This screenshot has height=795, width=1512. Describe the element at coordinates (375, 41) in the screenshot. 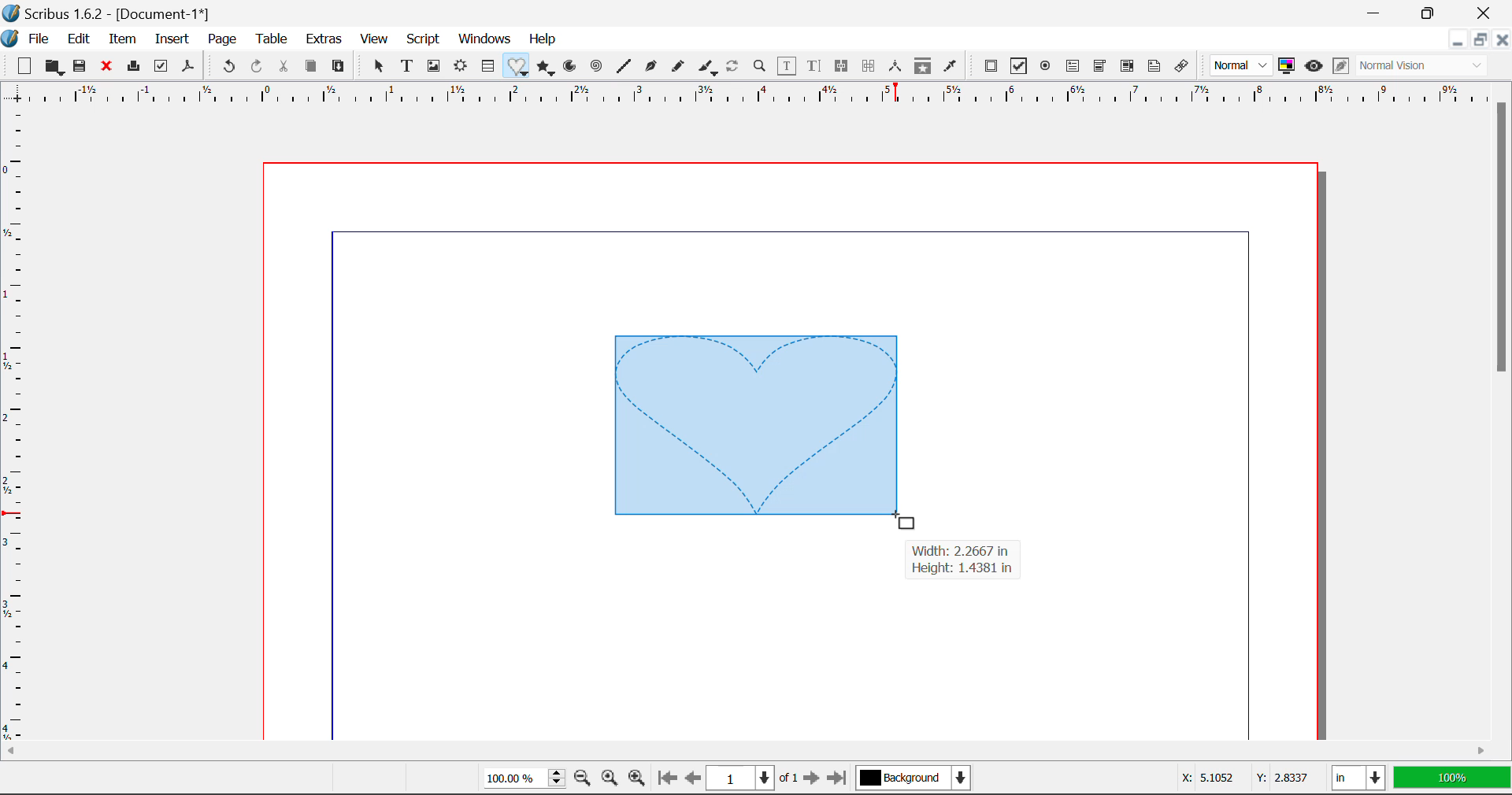

I see `View` at that location.